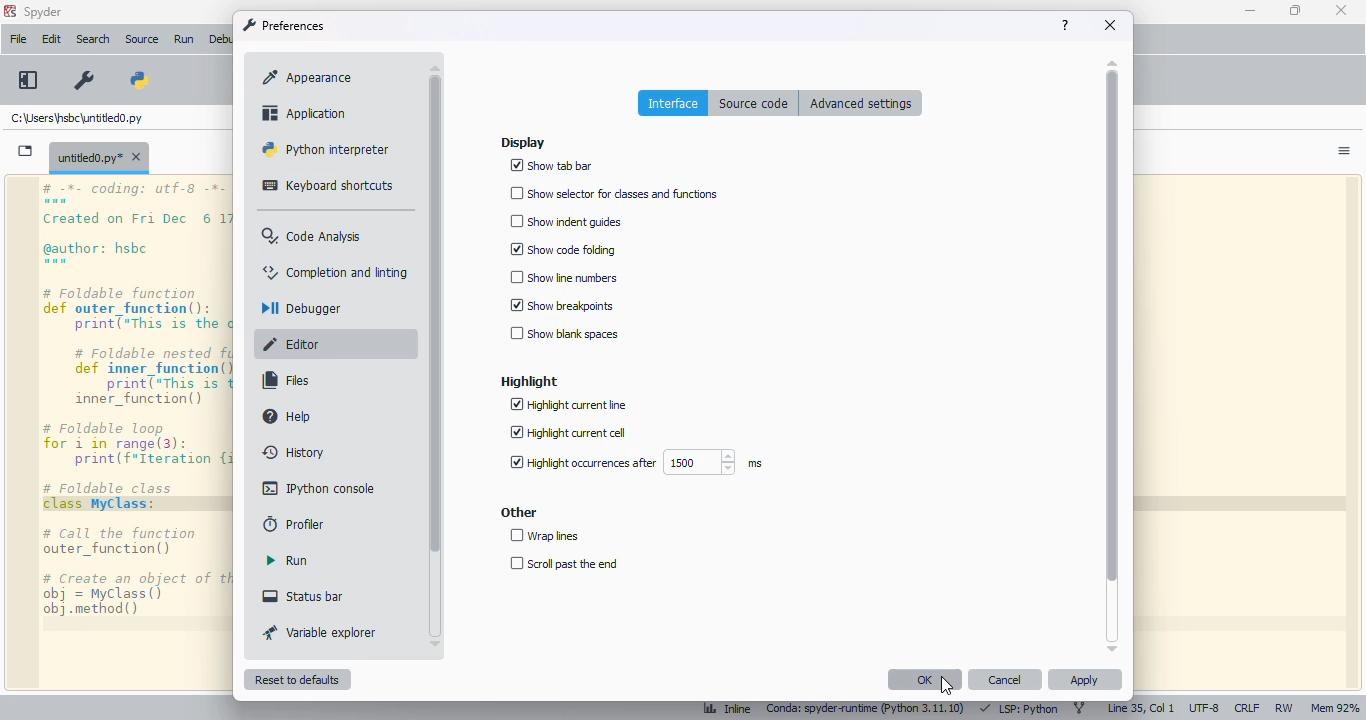  I want to click on show code folding, so click(563, 249).